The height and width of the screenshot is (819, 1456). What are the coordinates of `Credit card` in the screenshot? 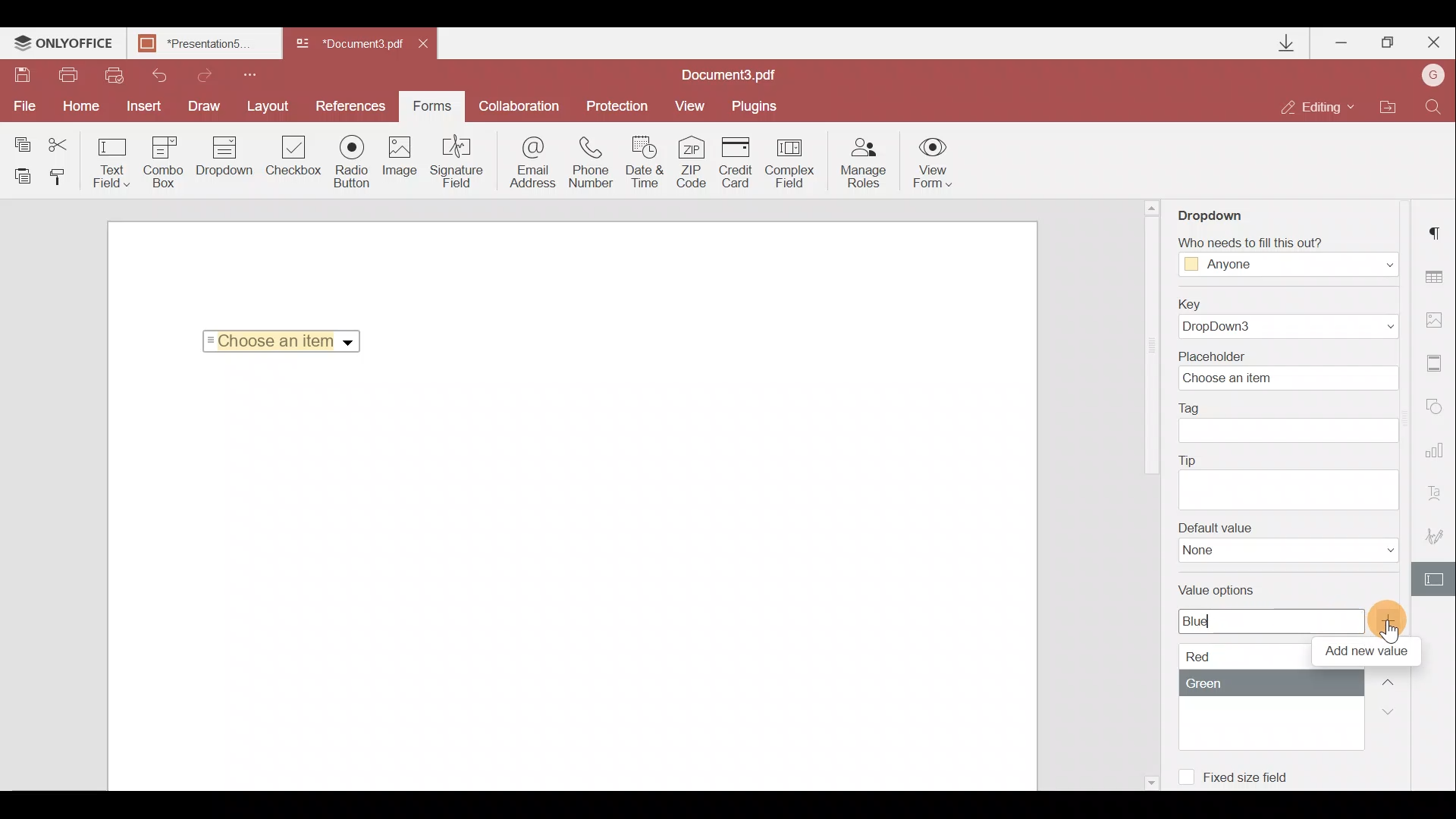 It's located at (738, 161).